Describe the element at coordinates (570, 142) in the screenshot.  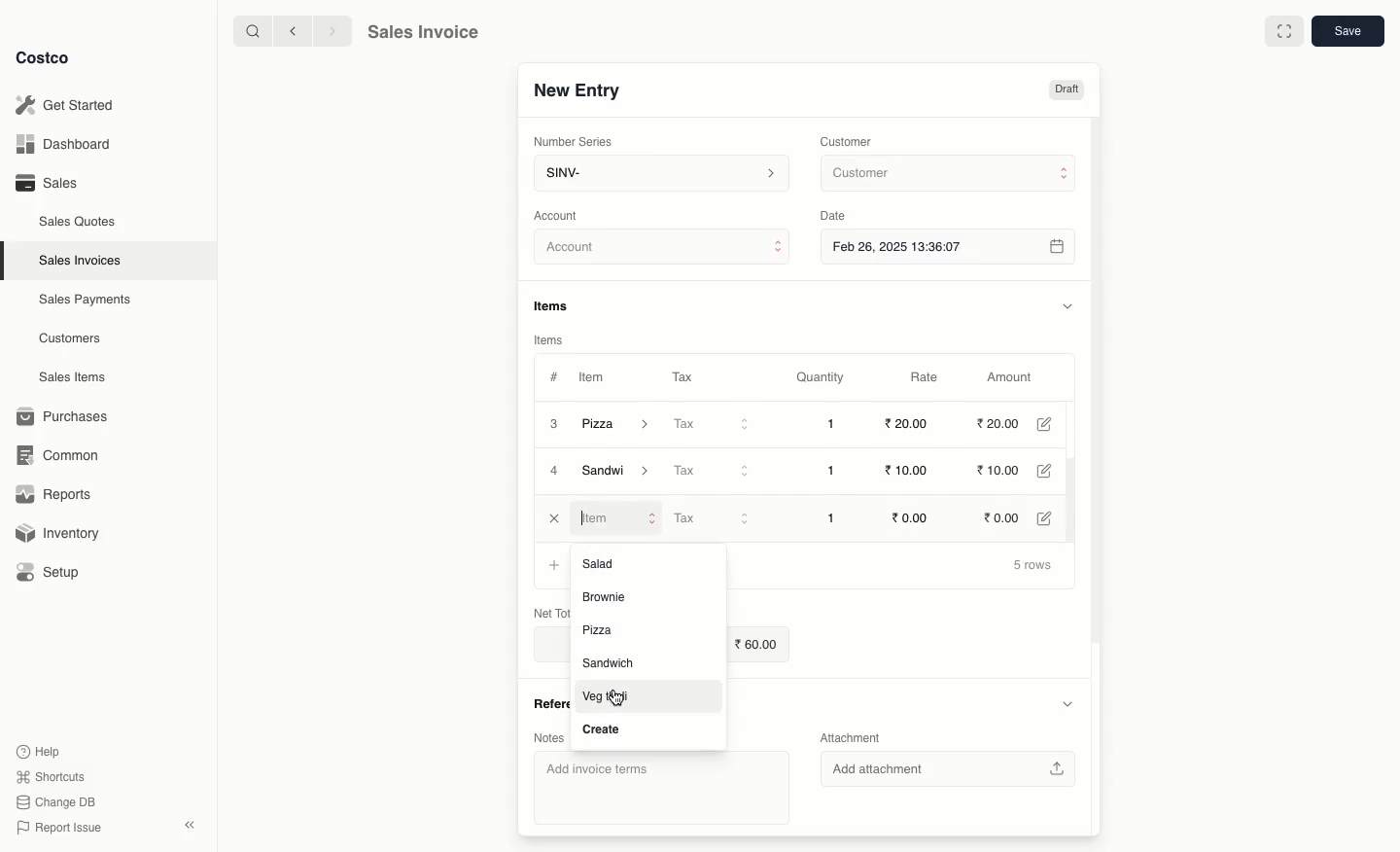
I see `‘Number Series` at that location.